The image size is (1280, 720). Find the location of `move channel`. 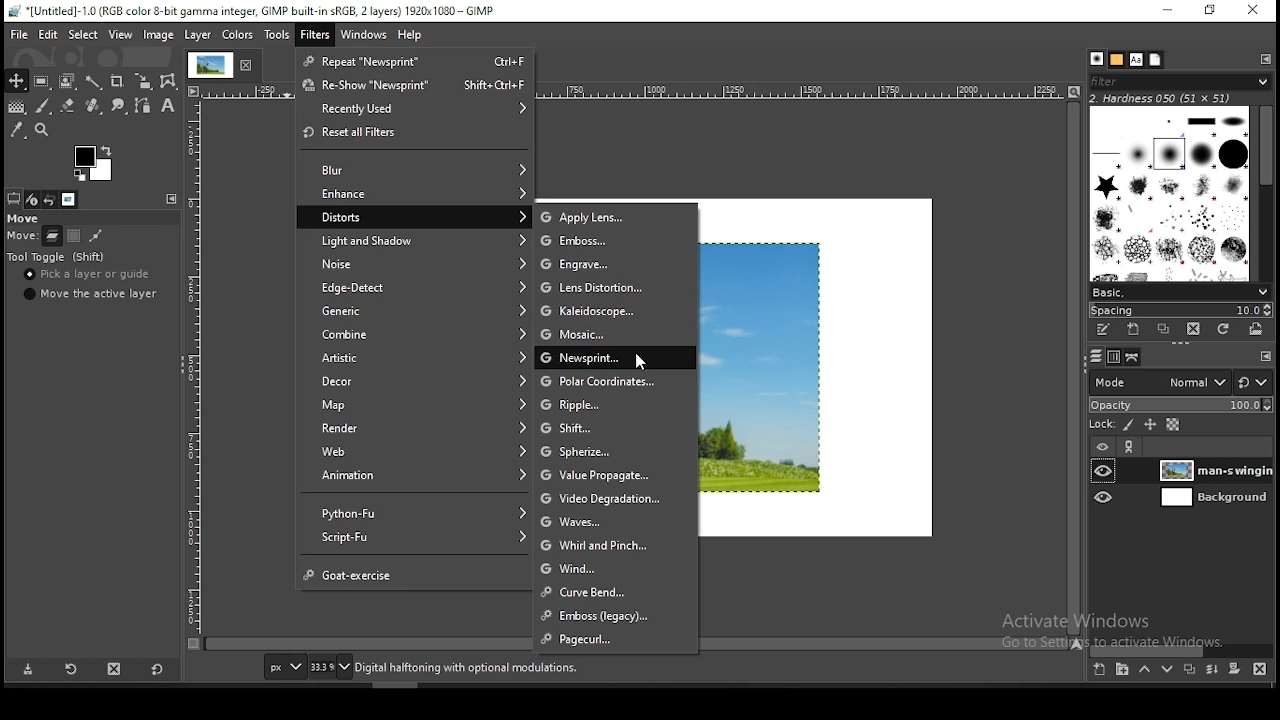

move channel is located at coordinates (76, 234).